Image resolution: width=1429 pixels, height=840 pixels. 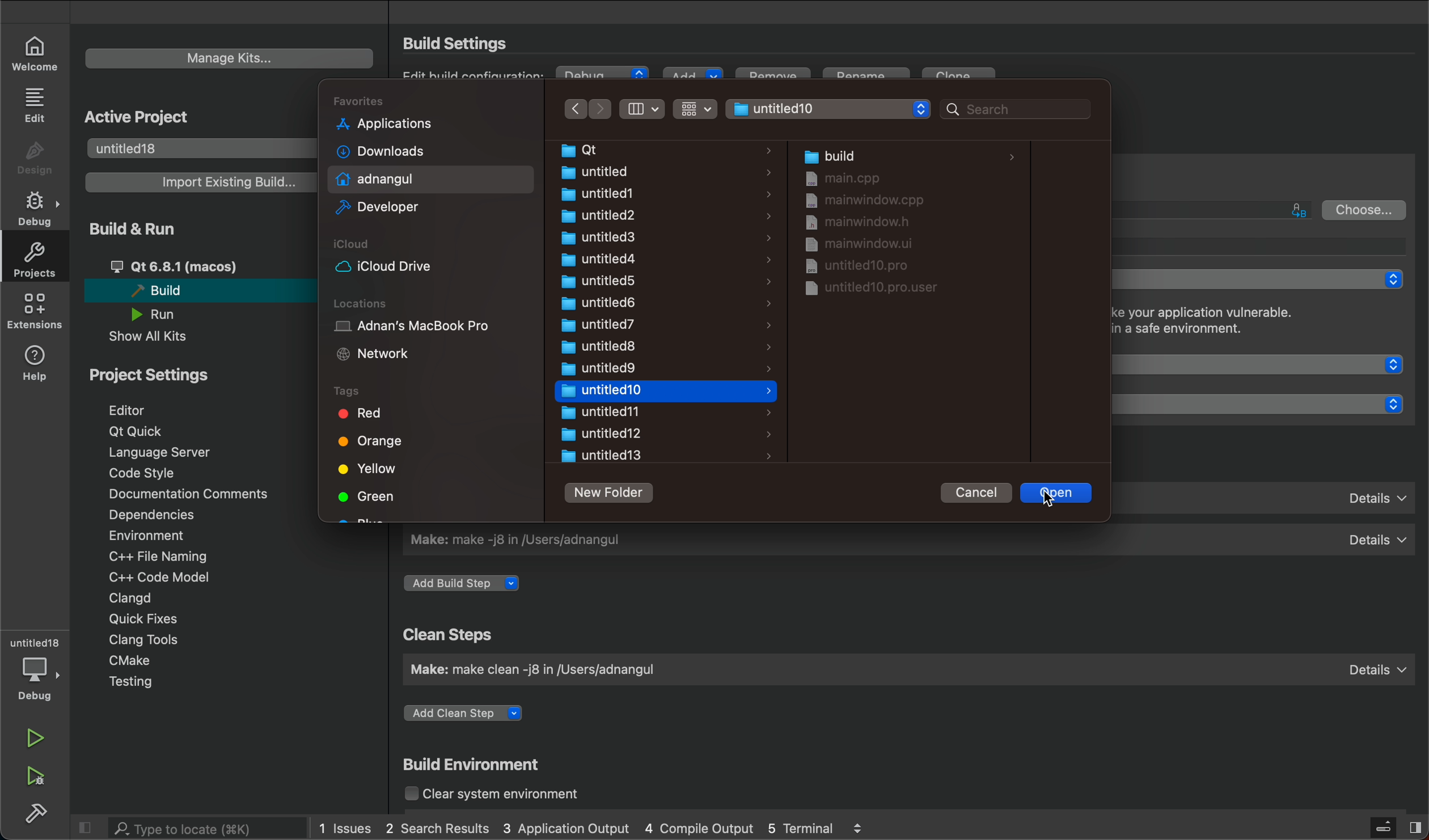 What do you see at coordinates (855, 245) in the screenshot?
I see `mainwindow.ui` at bounding box center [855, 245].